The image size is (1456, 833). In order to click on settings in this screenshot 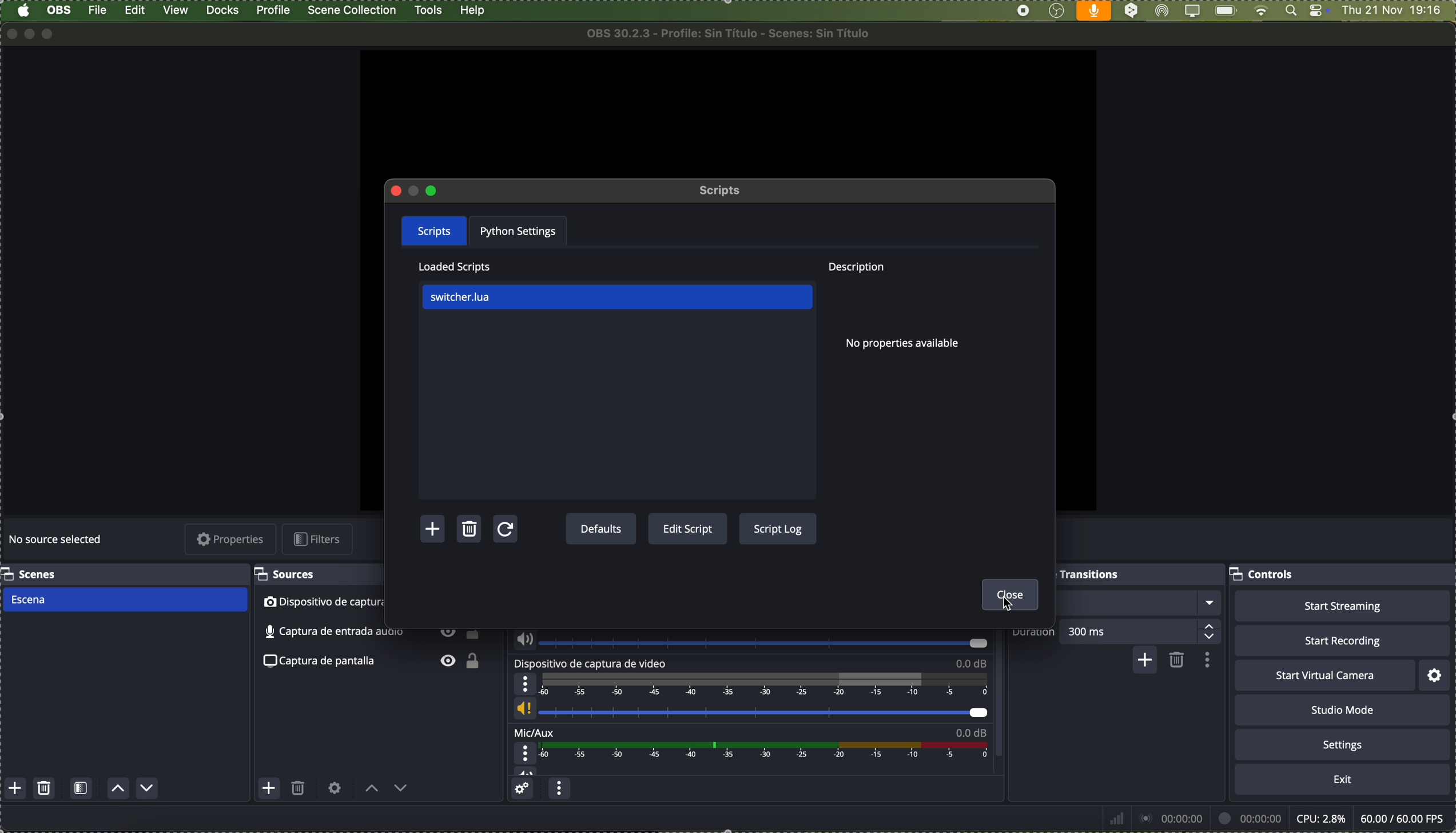, I will do `click(1343, 744)`.